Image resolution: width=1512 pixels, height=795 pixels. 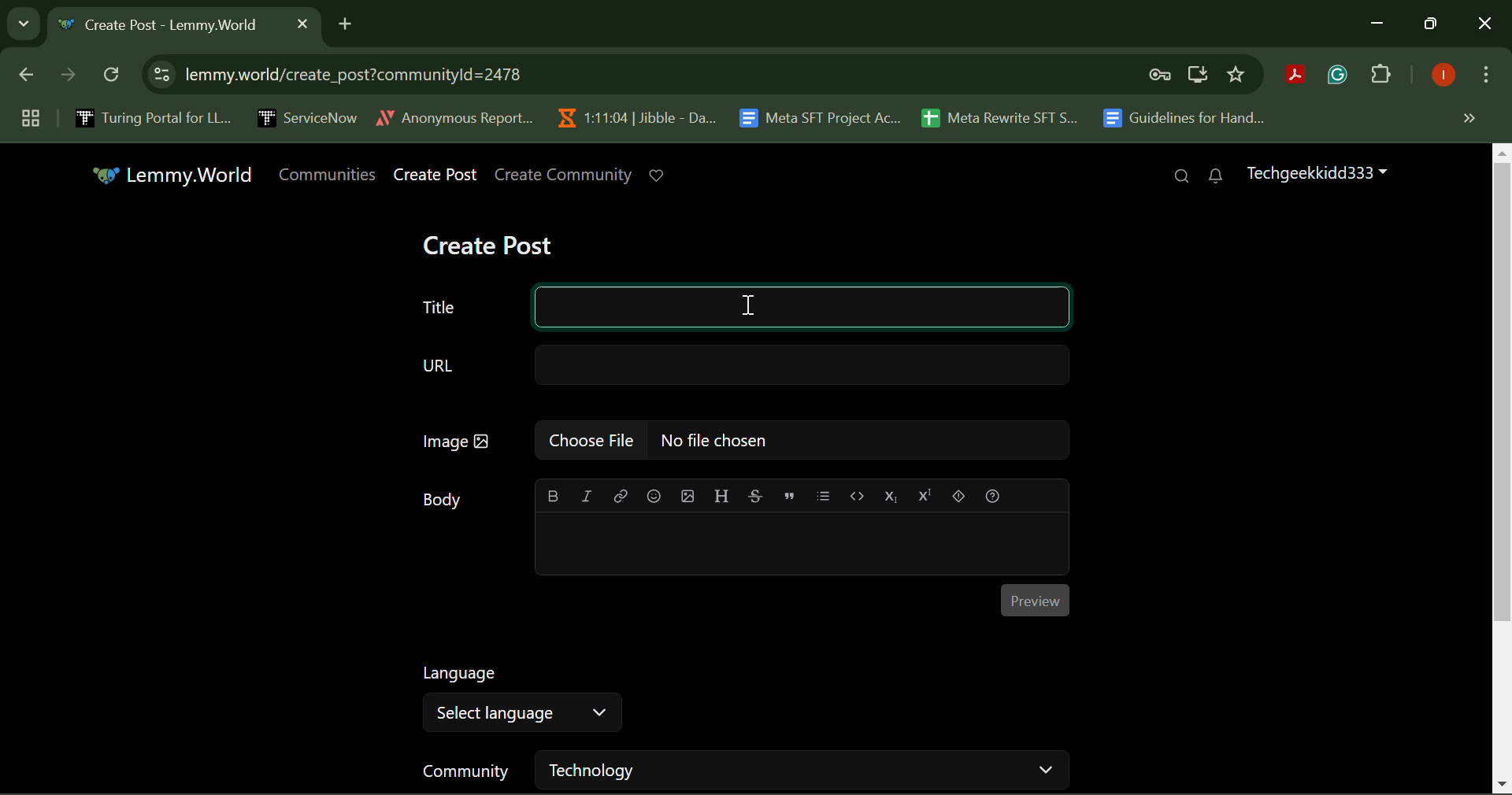 I want to click on list, so click(x=824, y=495).